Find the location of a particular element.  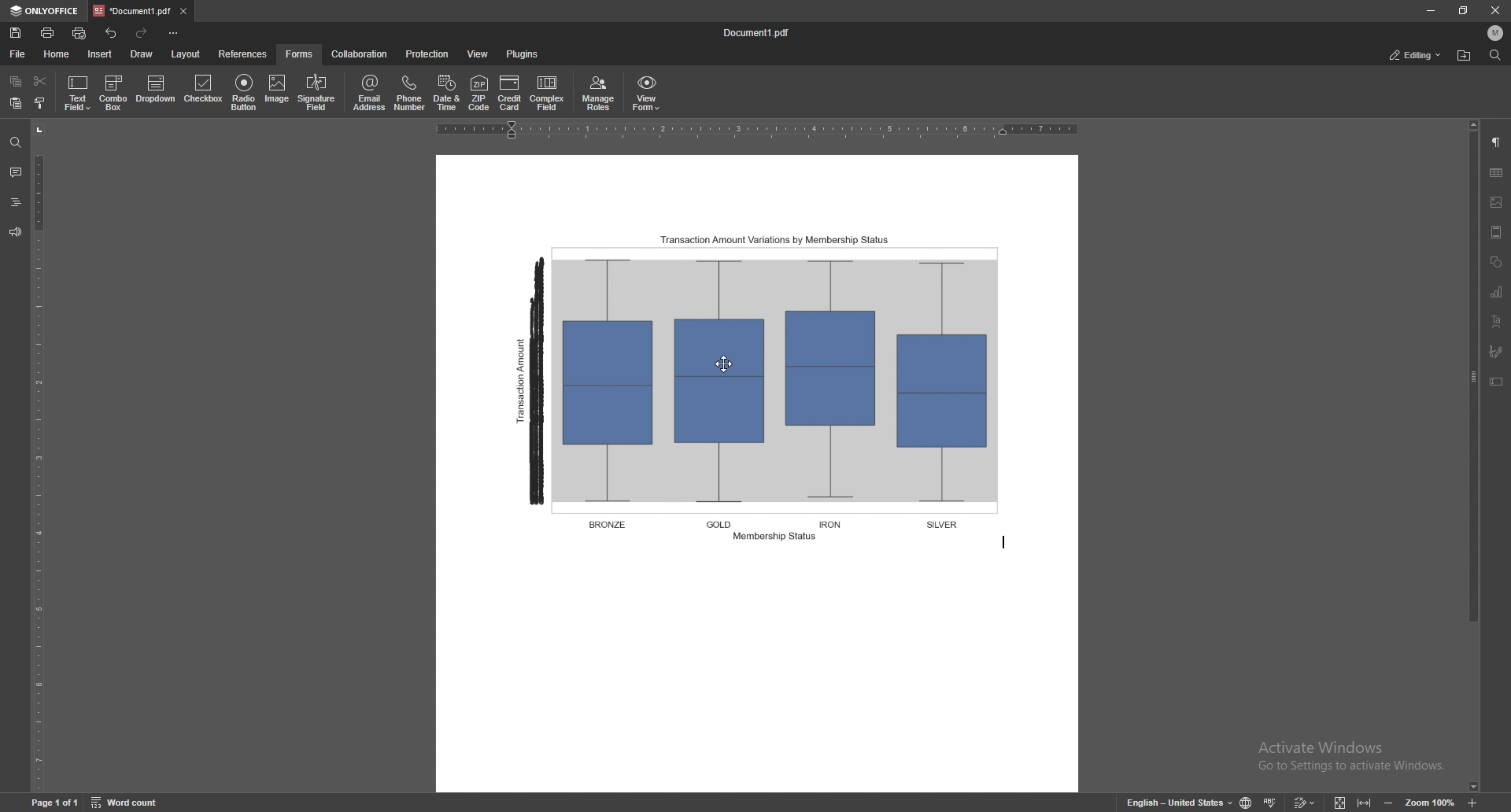

copy is located at coordinates (16, 82).